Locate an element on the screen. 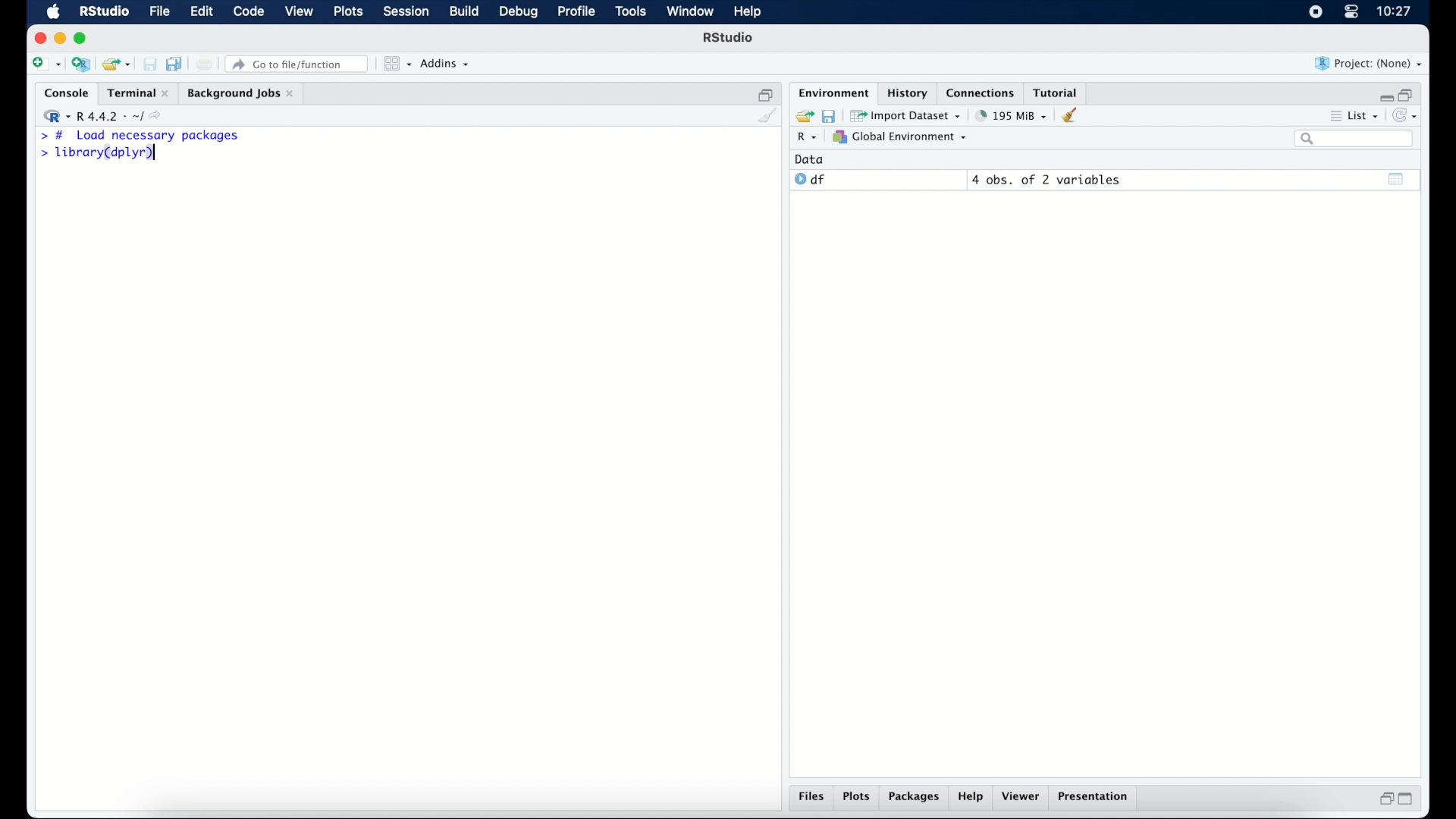 This screenshot has width=1456, height=819. restore down is located at coordinates (1409, 93).